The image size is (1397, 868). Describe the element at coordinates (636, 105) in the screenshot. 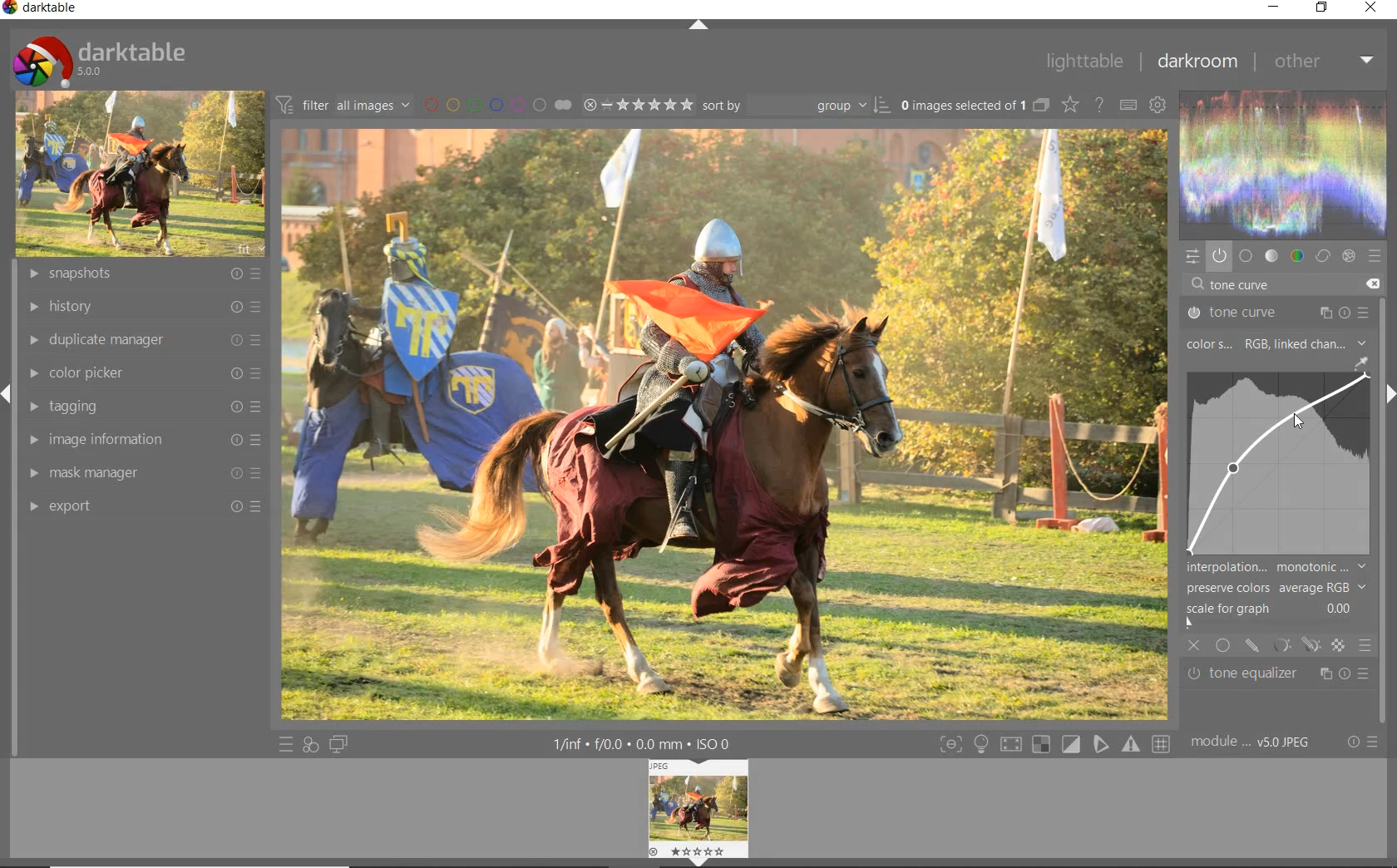

I see `selected Image range rating` at that location.